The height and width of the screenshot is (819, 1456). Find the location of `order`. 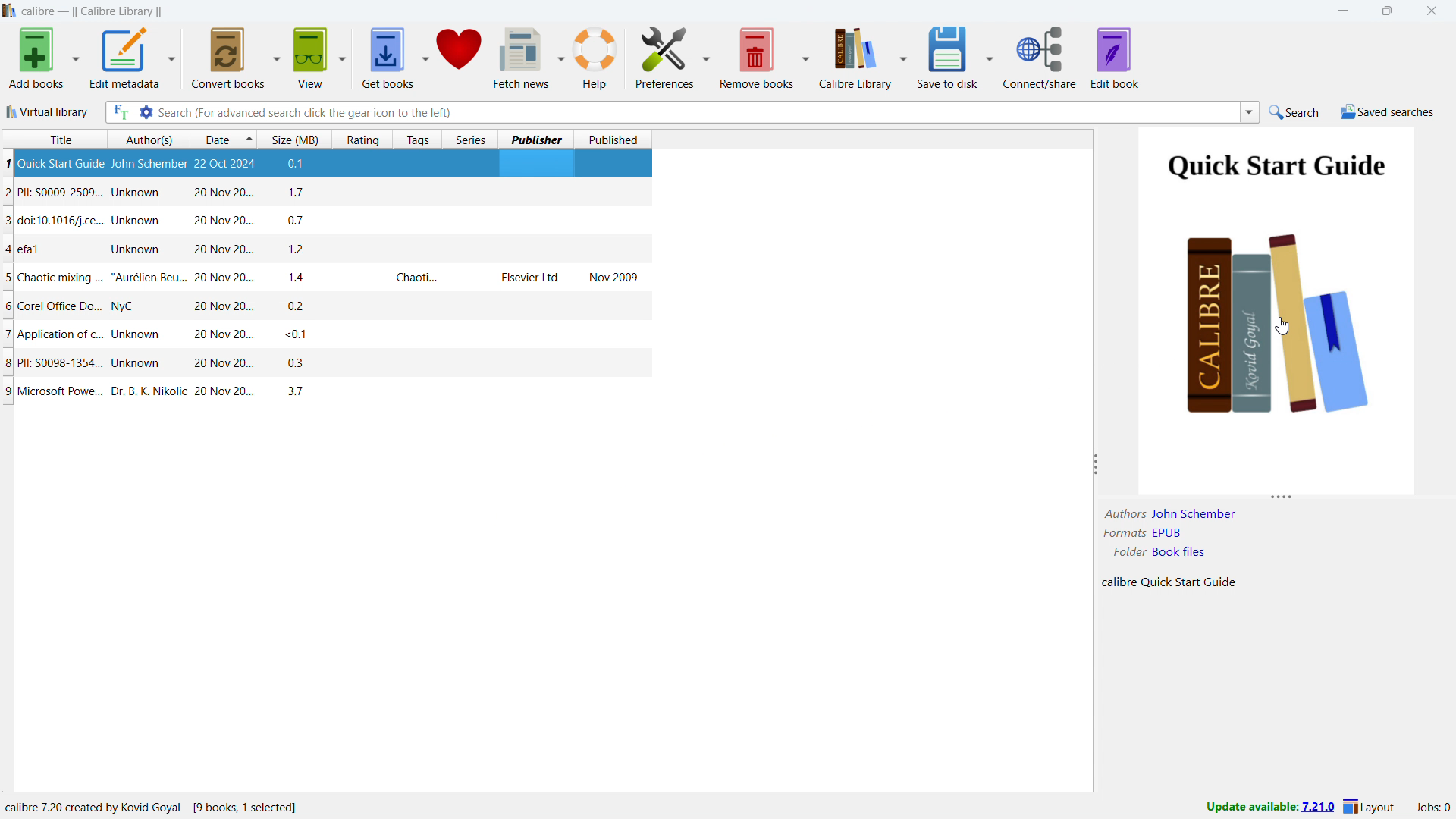

order is located at coordinates (249, 138).